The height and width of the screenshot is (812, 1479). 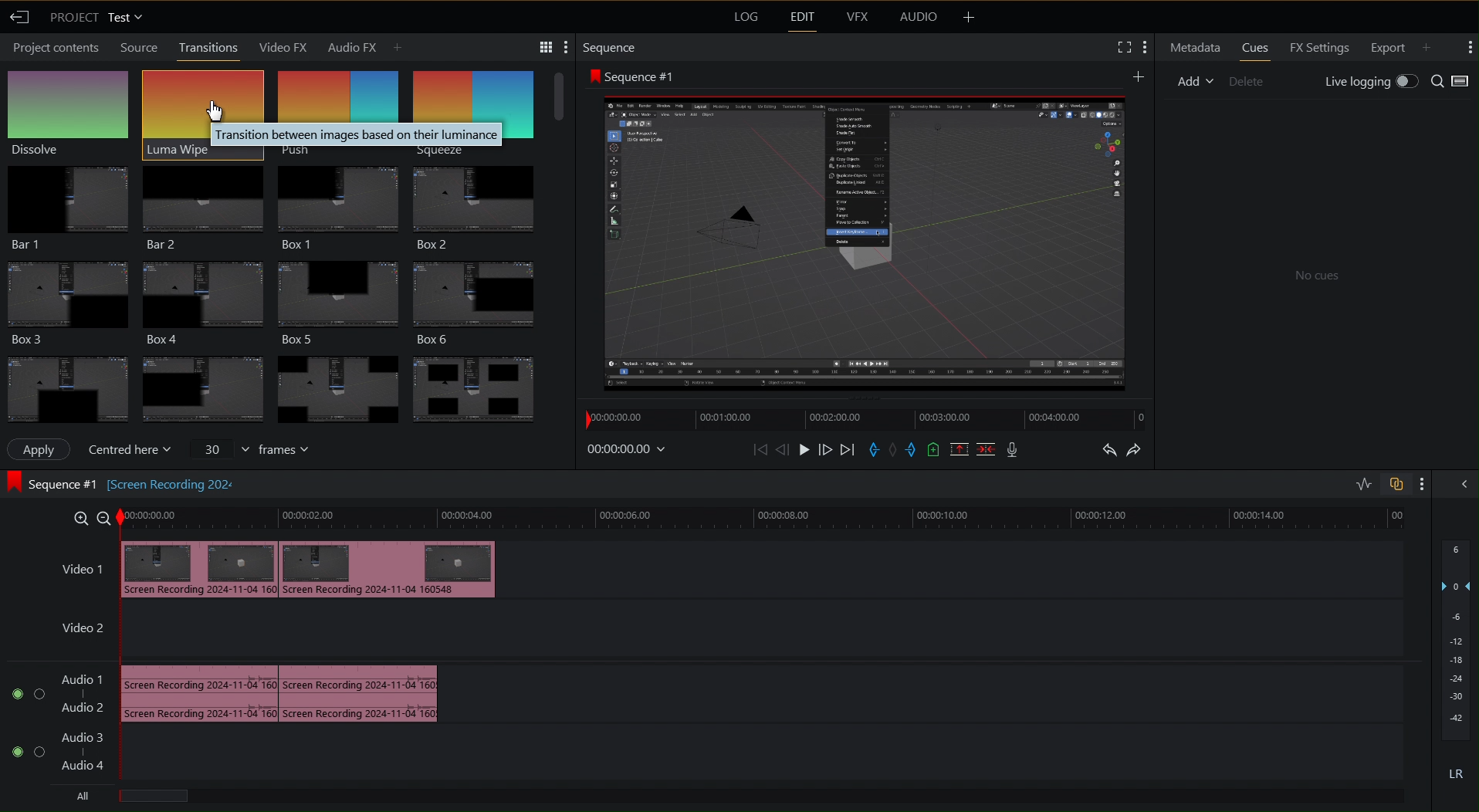 I want to click on Video 1, so click(x=340, y=568).